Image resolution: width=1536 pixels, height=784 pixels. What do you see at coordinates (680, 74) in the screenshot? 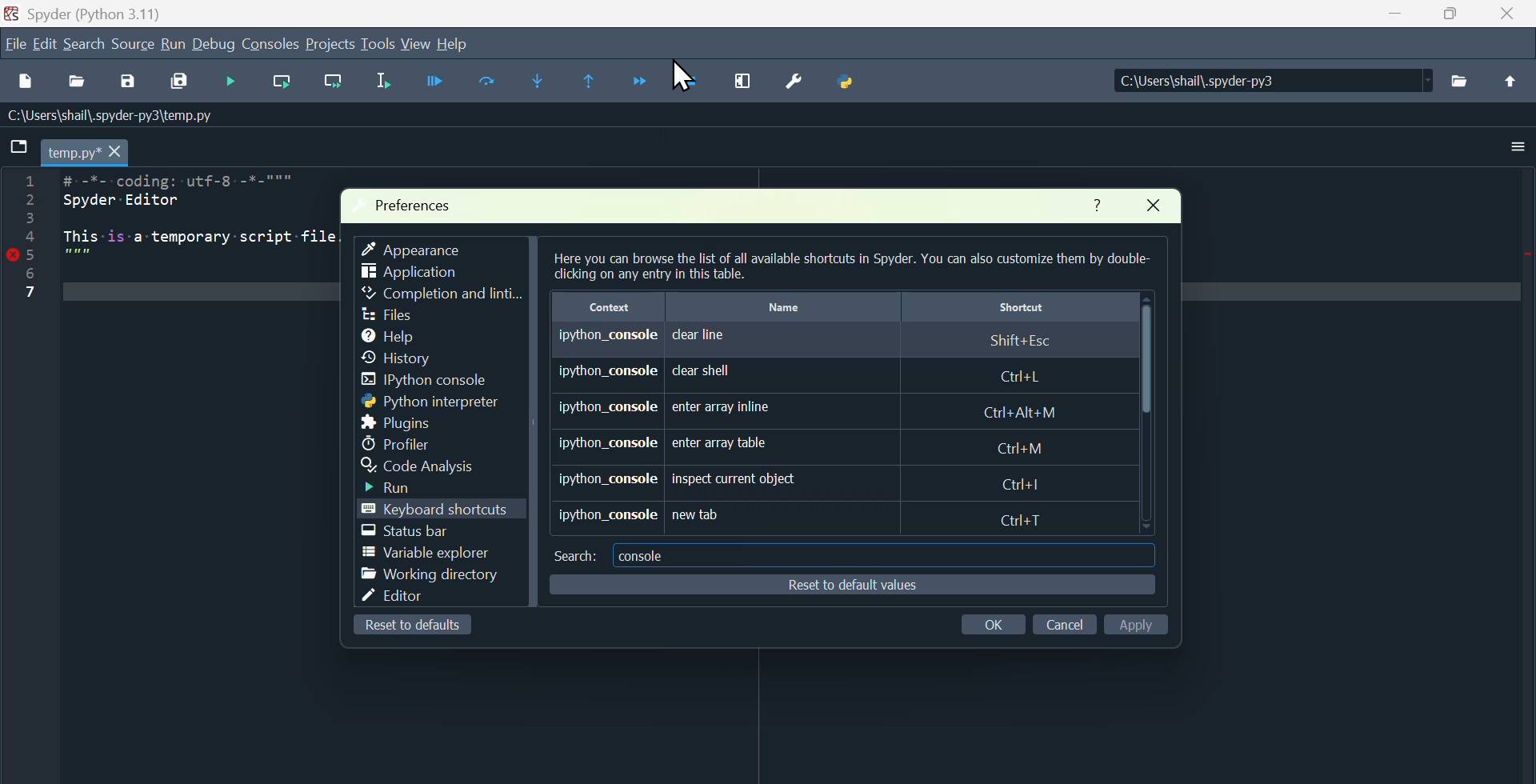
I see `Cursor` at bounding box center [680, 74].